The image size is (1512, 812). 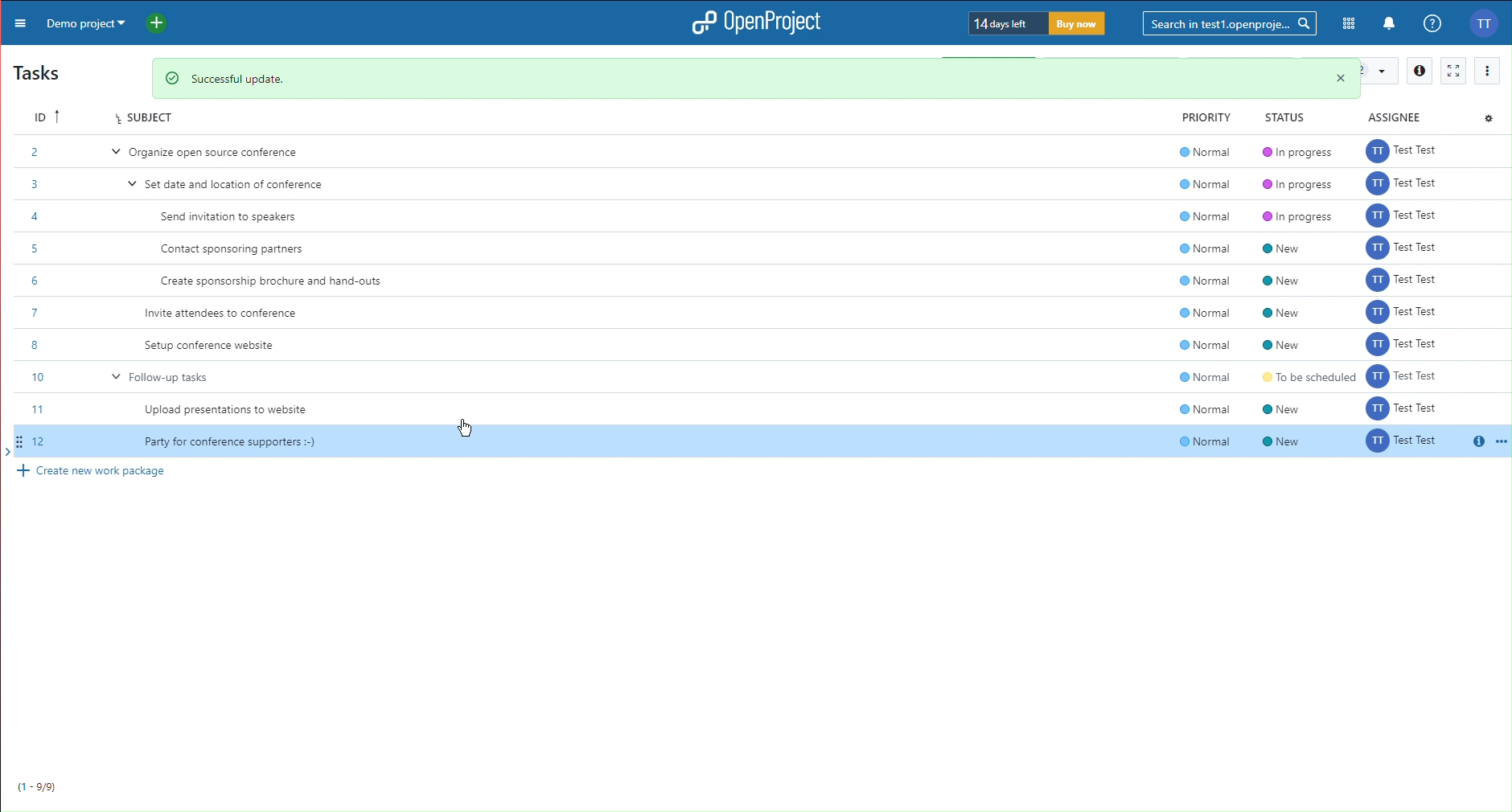 I want to click on Demo project, so click(x=87, y=22).